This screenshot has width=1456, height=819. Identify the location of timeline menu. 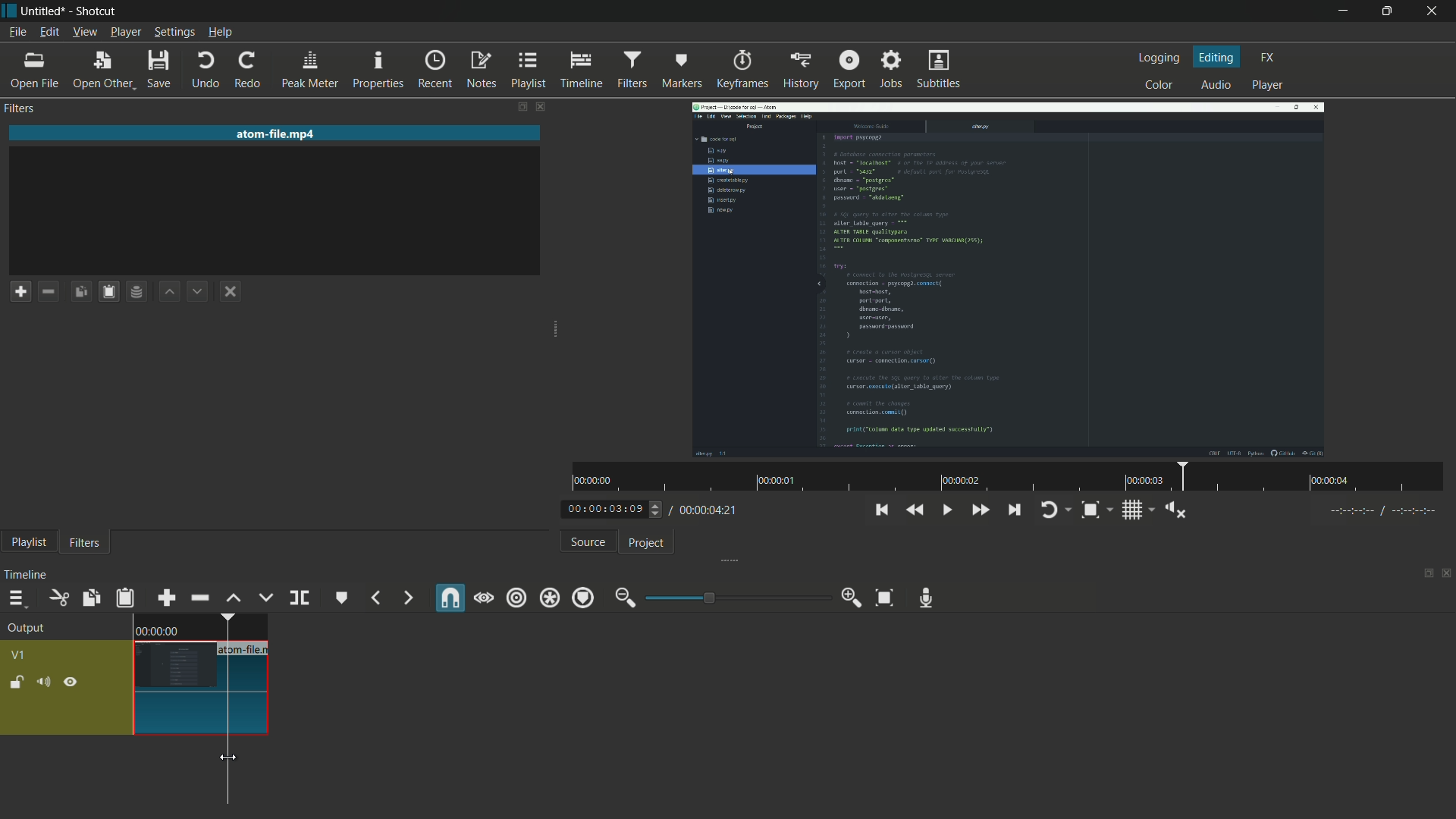
(16, 598).